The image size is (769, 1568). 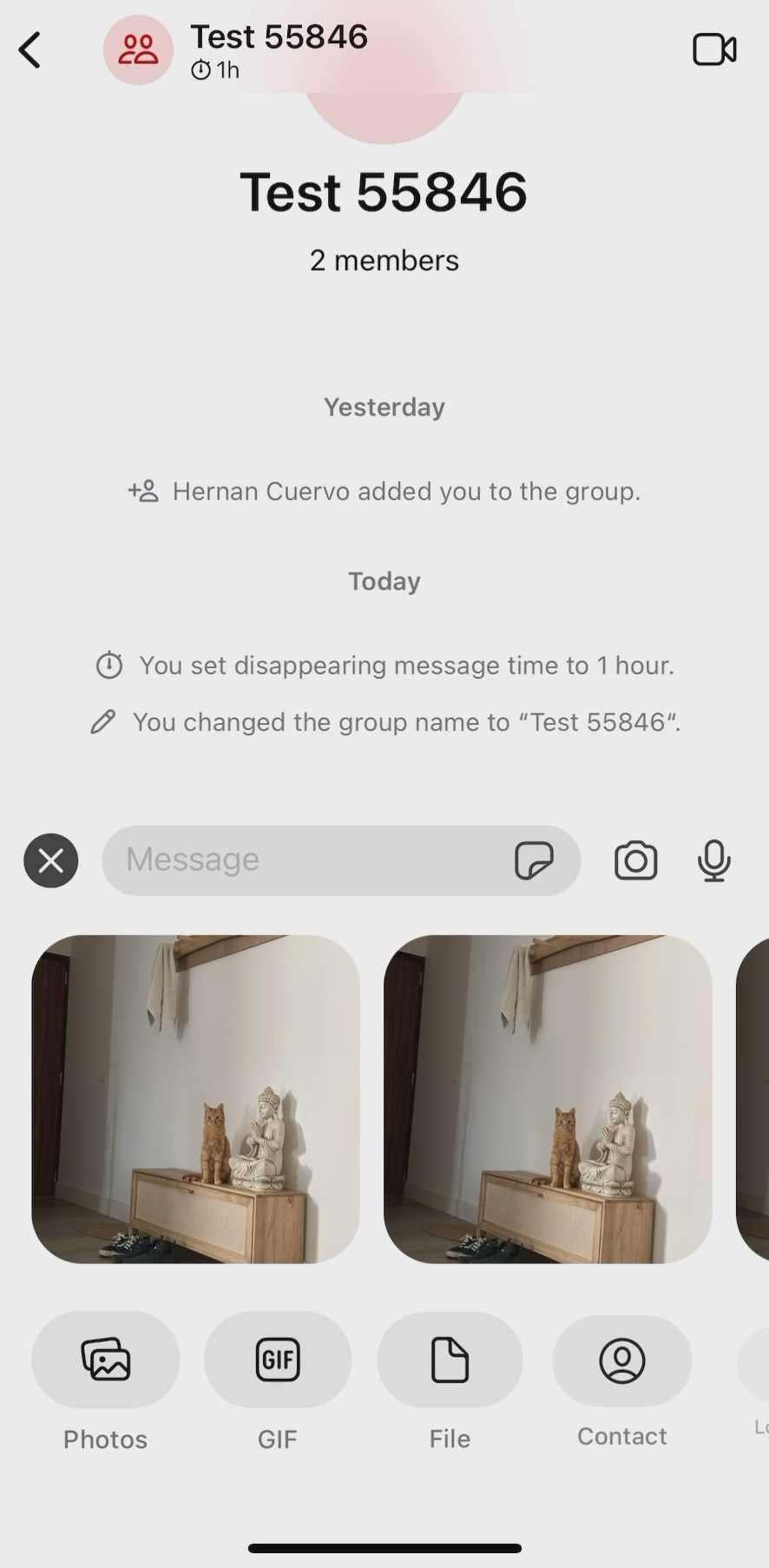 What do you see at coordinates (385, 161) in the screenshot?
I see `Test 55846` at bounding box center [385, 161].